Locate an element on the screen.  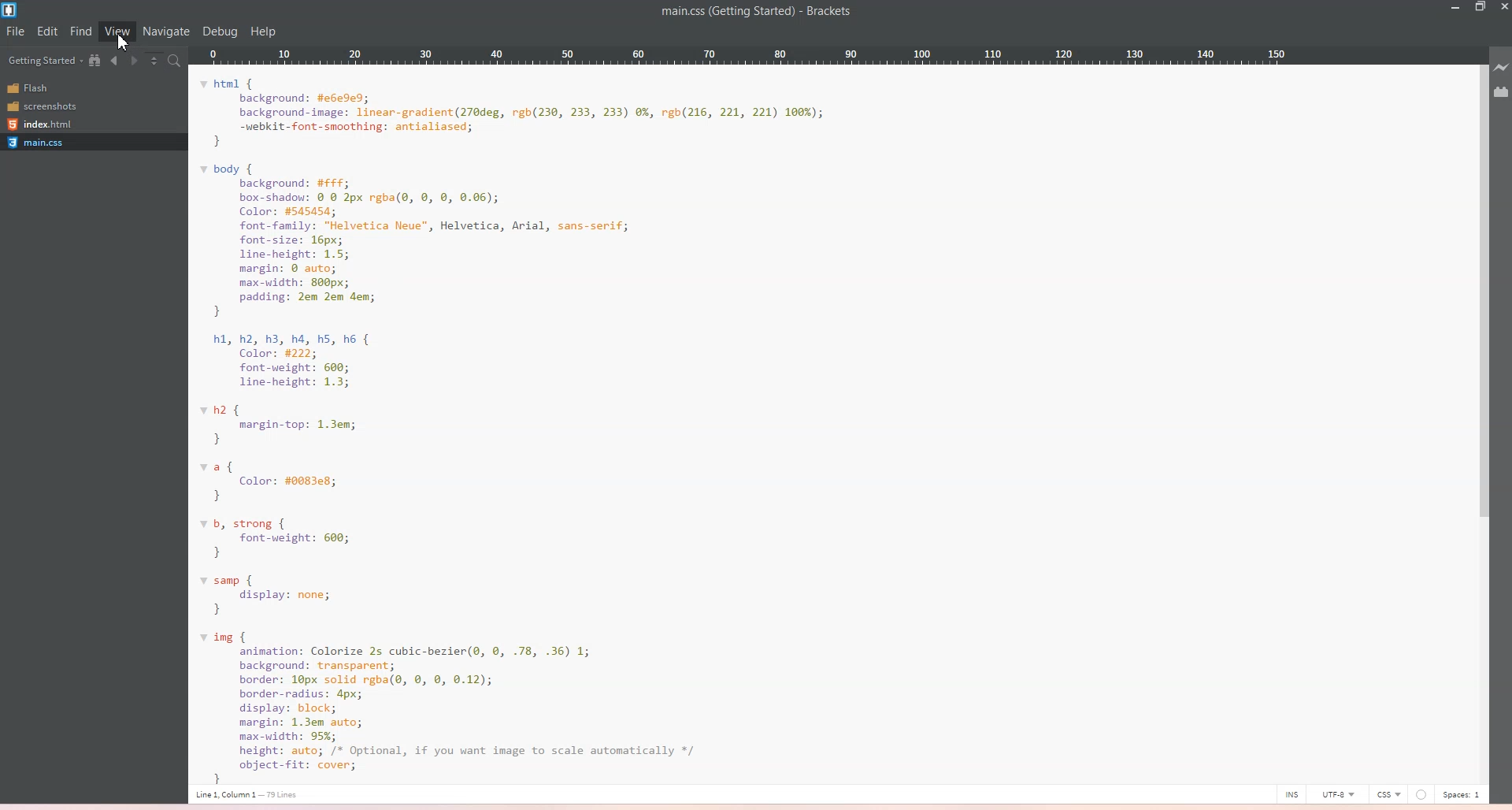
help is located at coordinates (264, 32).